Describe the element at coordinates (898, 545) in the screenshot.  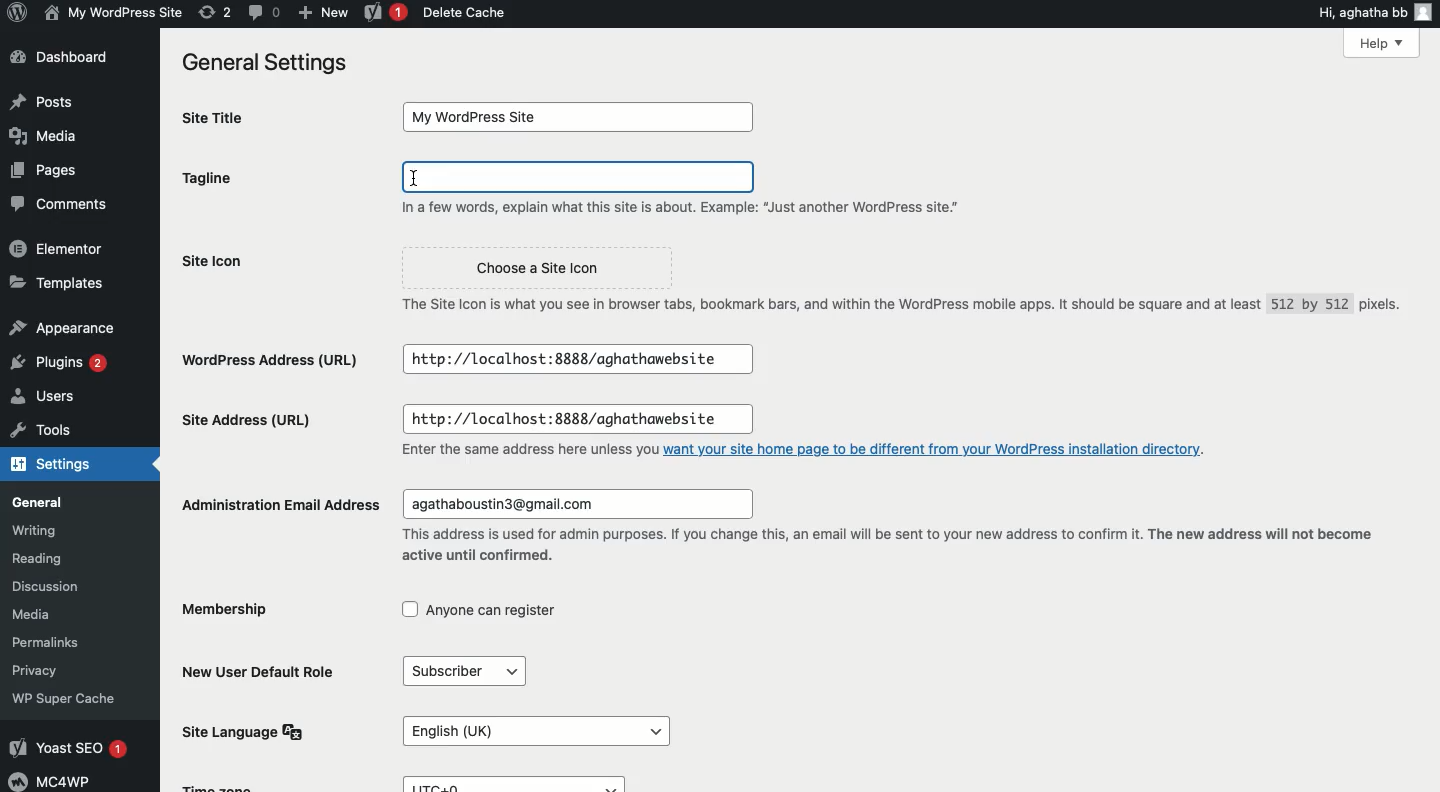
I see `“This address is used for admin purposes. If you change this, an email wil be sent to your new address to confirm it. The new address will not become
active until confirmed.` at that location.